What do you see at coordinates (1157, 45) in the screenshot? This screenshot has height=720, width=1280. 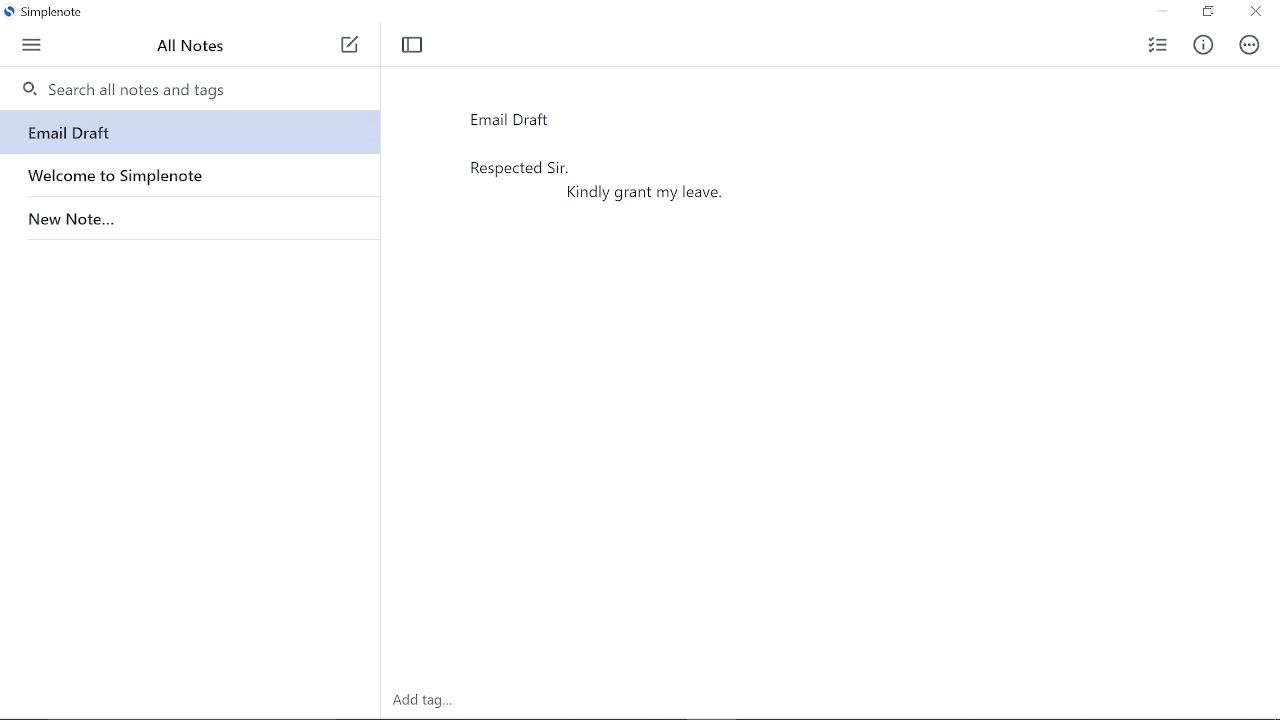 I see `checklist` at bounding box center [1157, 45].